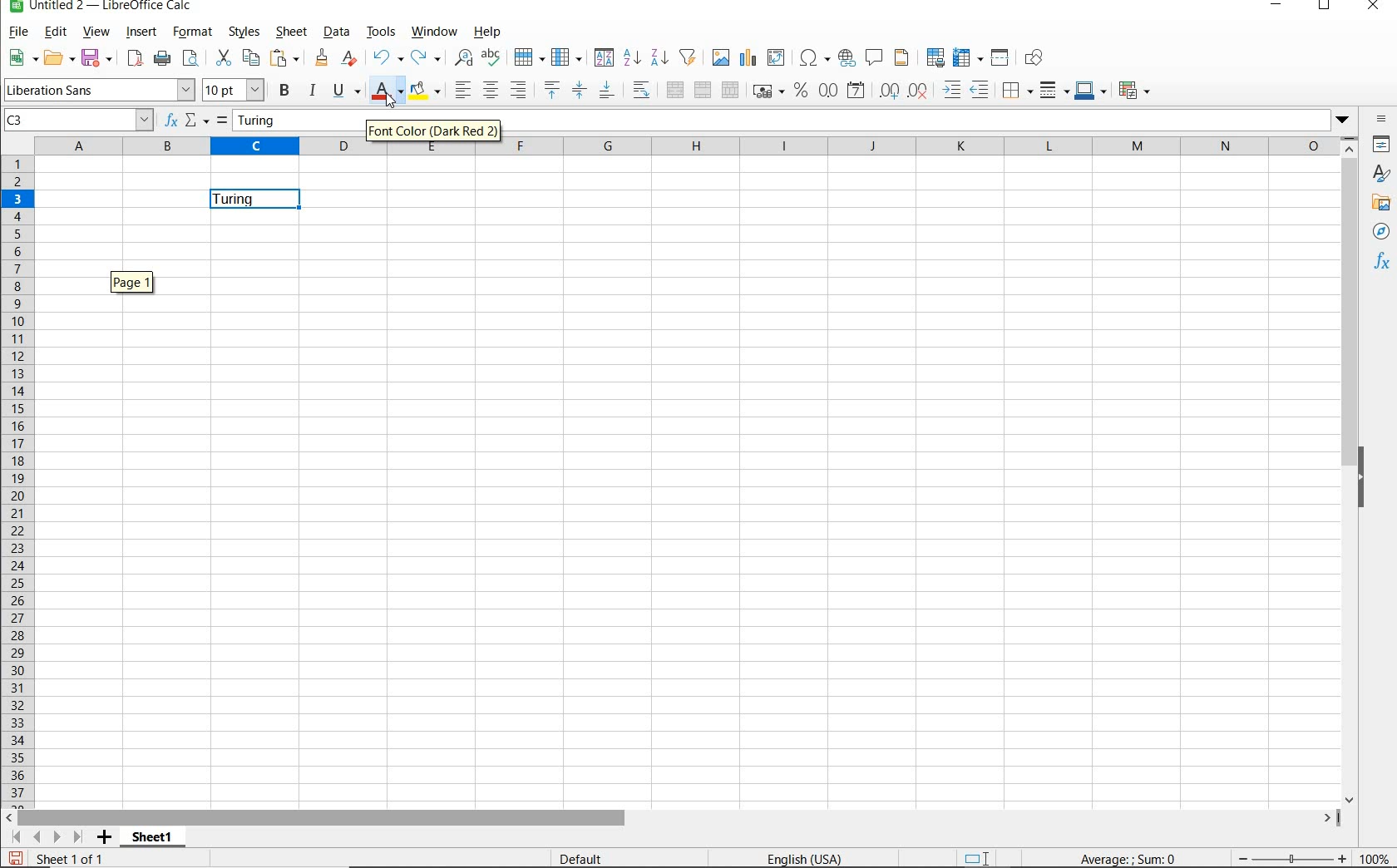 The height and width of the screenshot is (868, 1397). I want to click on EXPORT DIRECTLY AS PDF, so click(135, 58).